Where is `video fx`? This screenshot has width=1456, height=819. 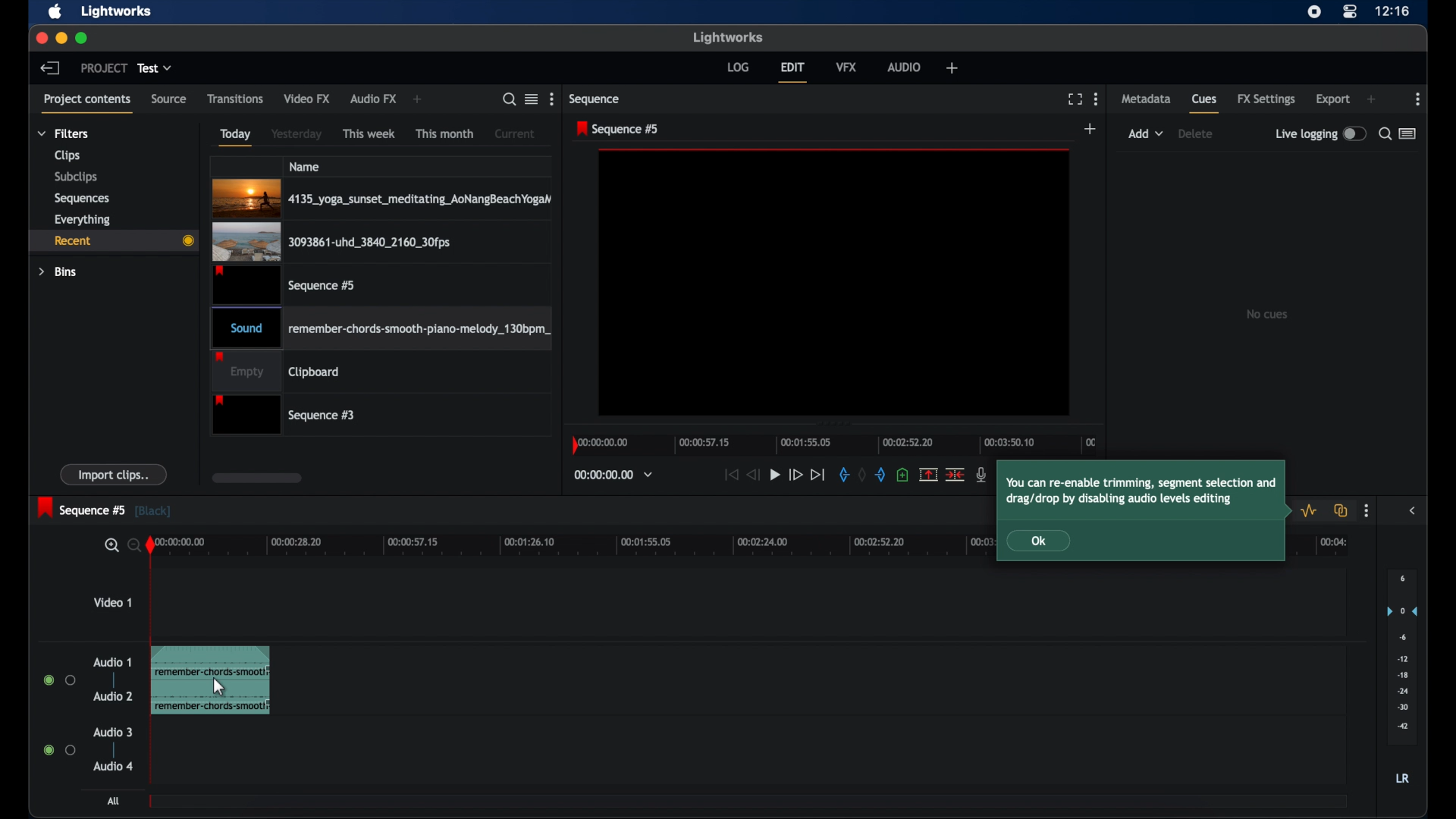
video fx is located at coordinates (306, 99).